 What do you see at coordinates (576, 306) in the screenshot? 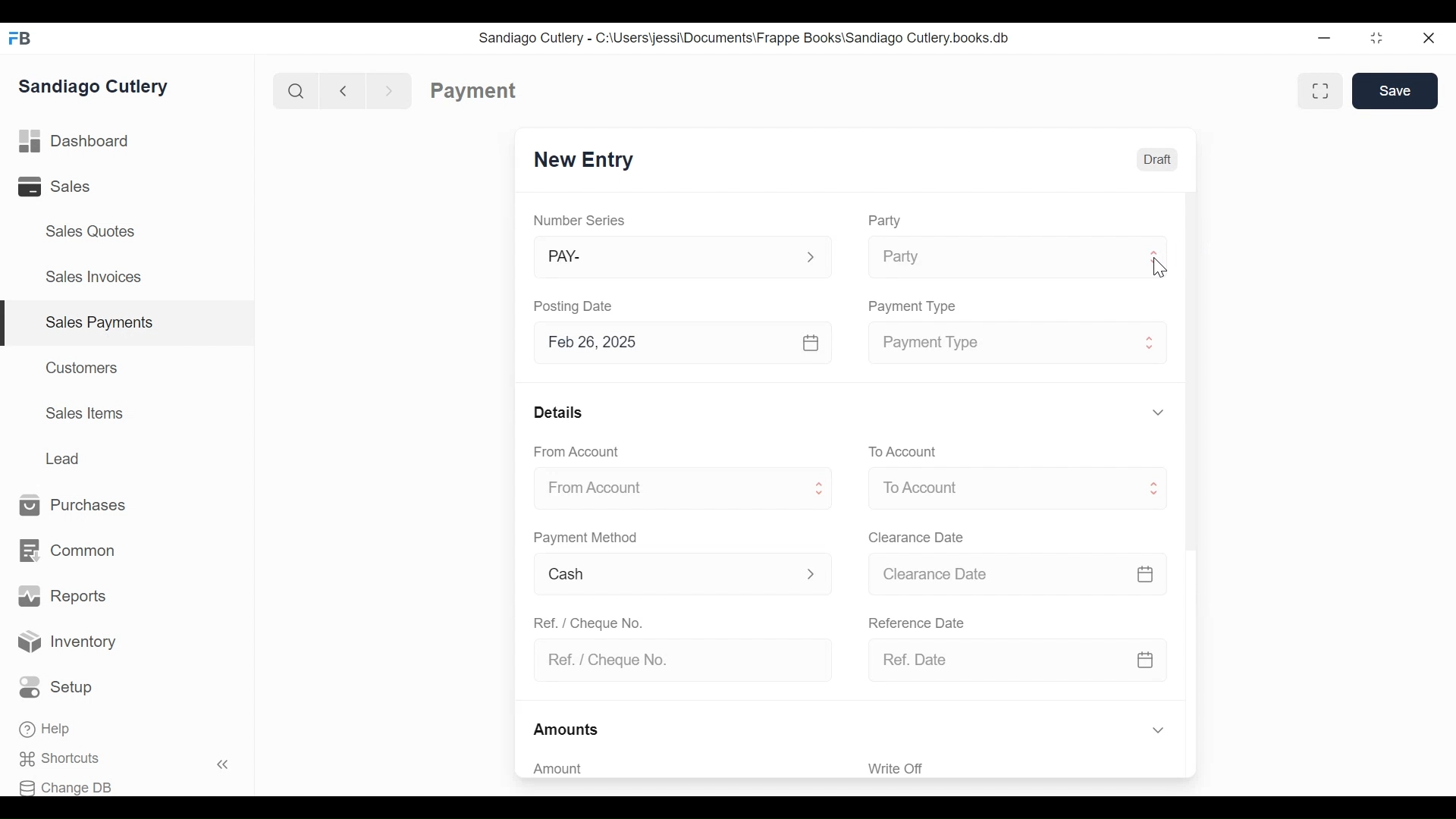
I see `Posting Date` at bounding box center [576, 306].